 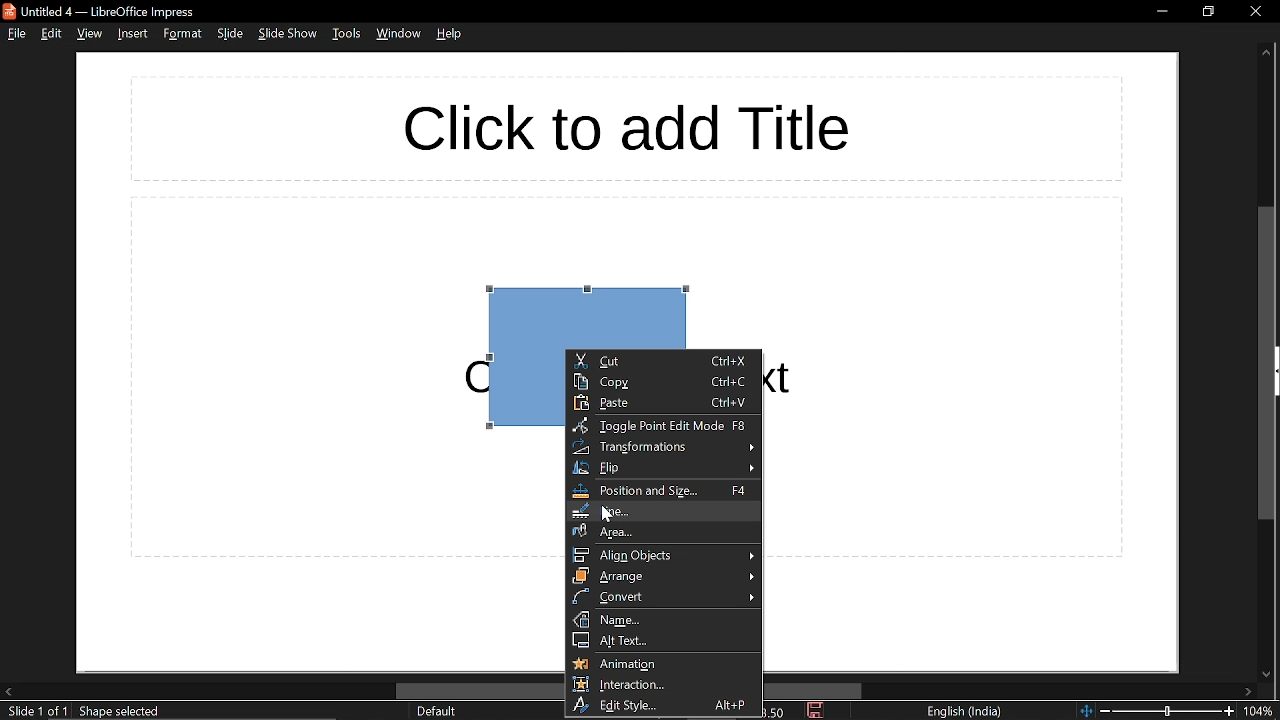 What do you see at coordinates (1157, 711) in the screenshot?
I see `change zoom` at bounding box center [1157, 711].